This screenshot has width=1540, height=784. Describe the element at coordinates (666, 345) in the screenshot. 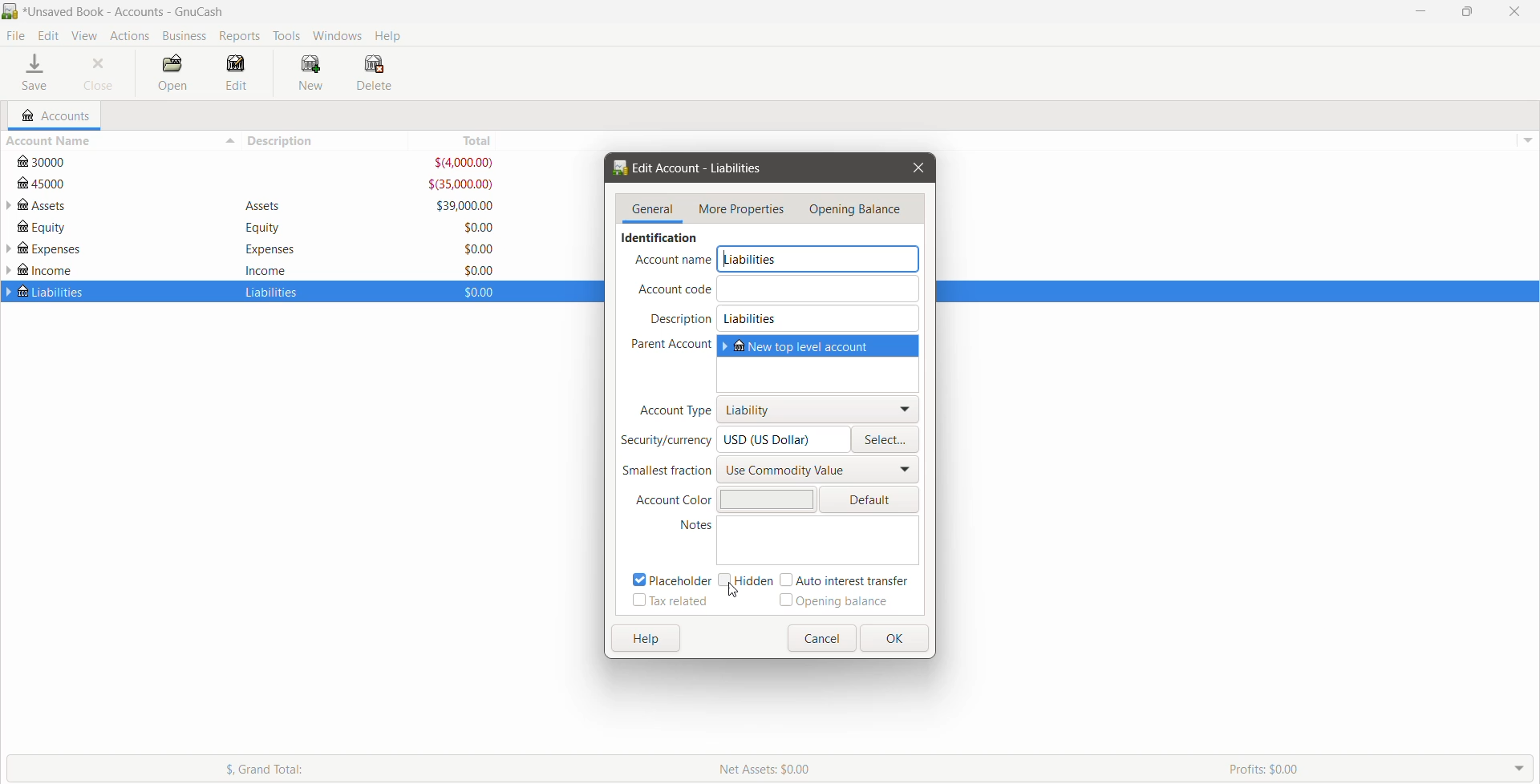

I see `Parent Account` at that location.